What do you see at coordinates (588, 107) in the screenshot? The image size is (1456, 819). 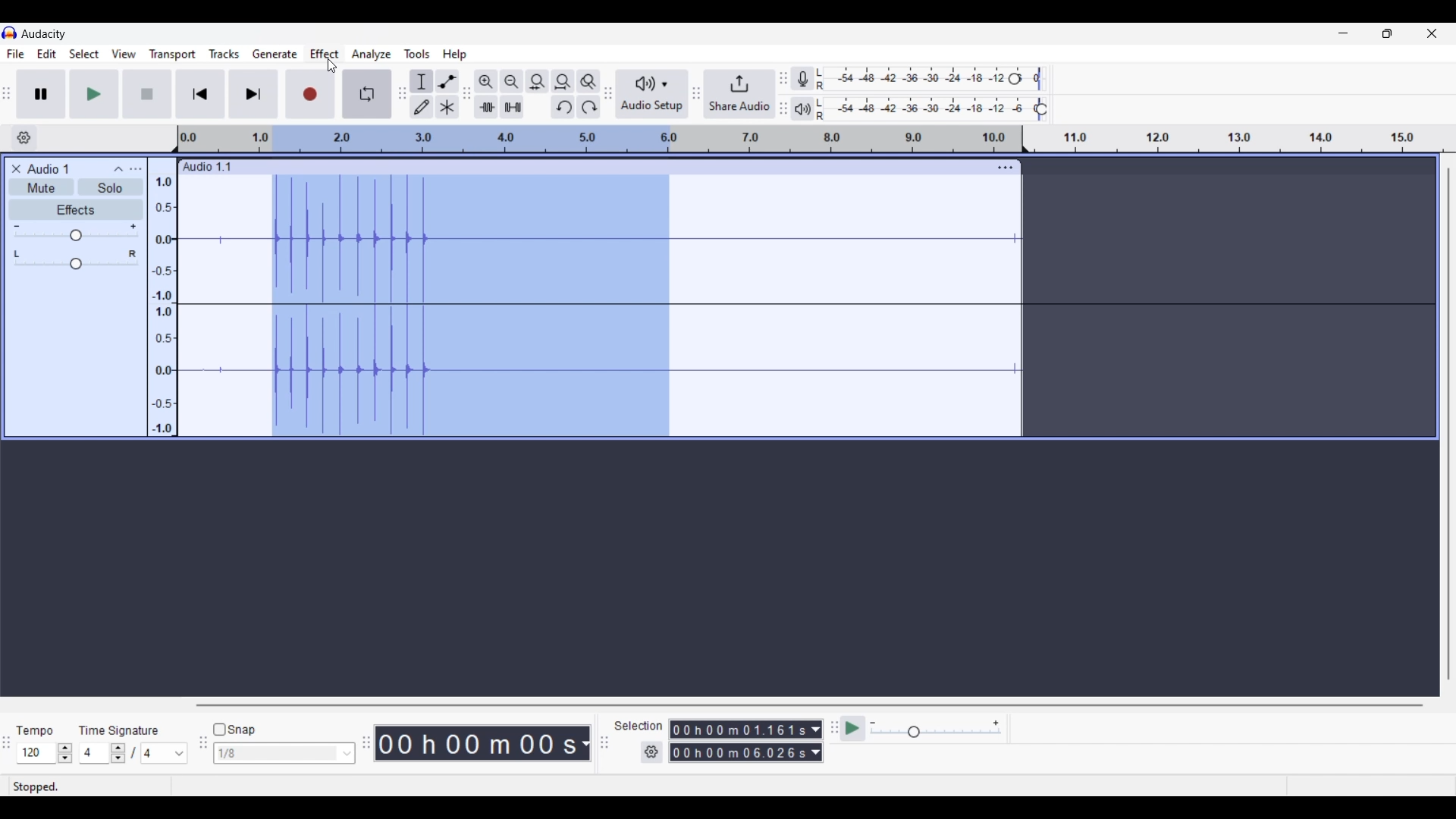 I see `Redo` at bounding box center [588, 107].